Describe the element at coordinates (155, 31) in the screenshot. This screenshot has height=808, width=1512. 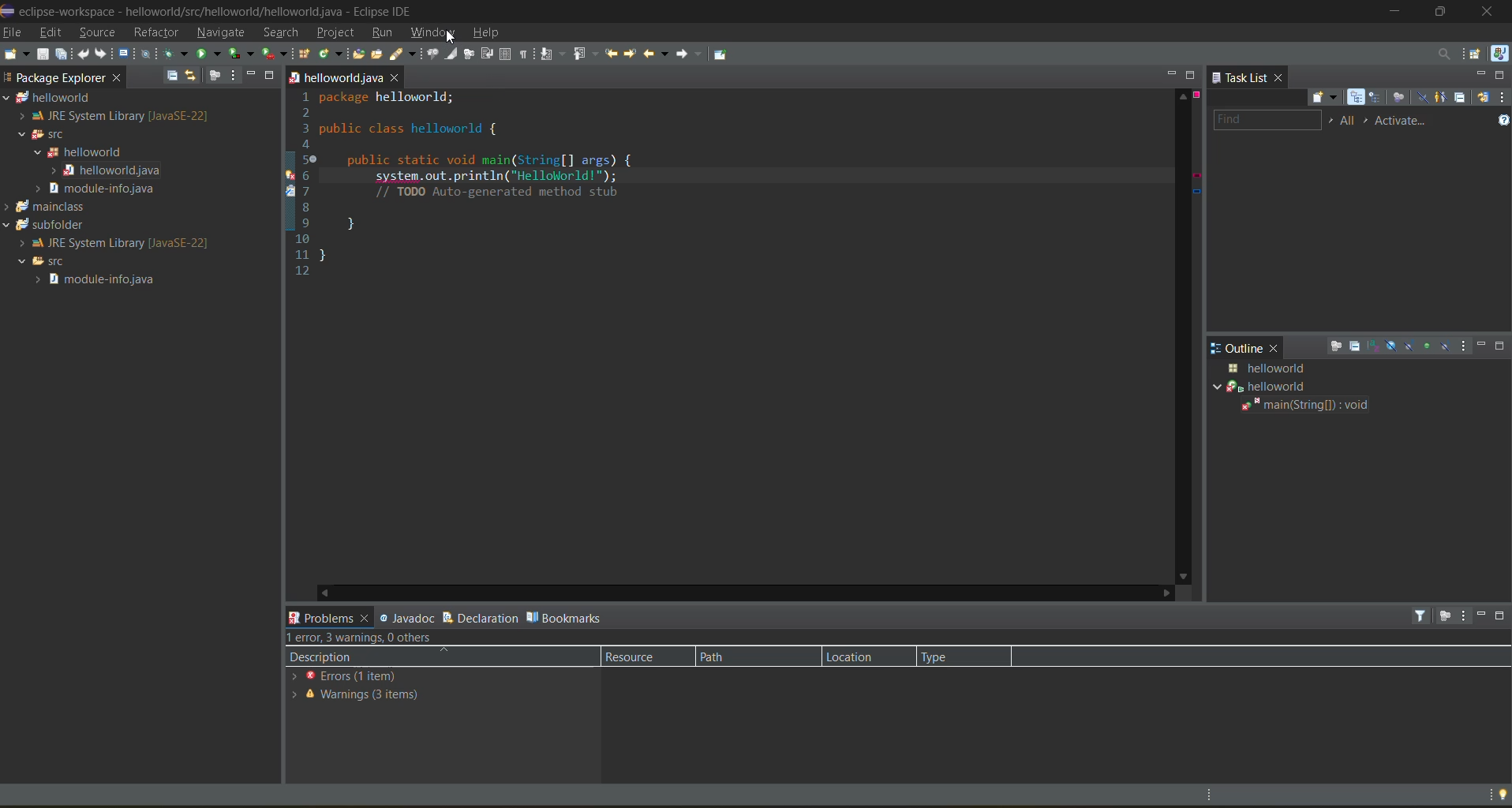
I see `refractor` at that location.